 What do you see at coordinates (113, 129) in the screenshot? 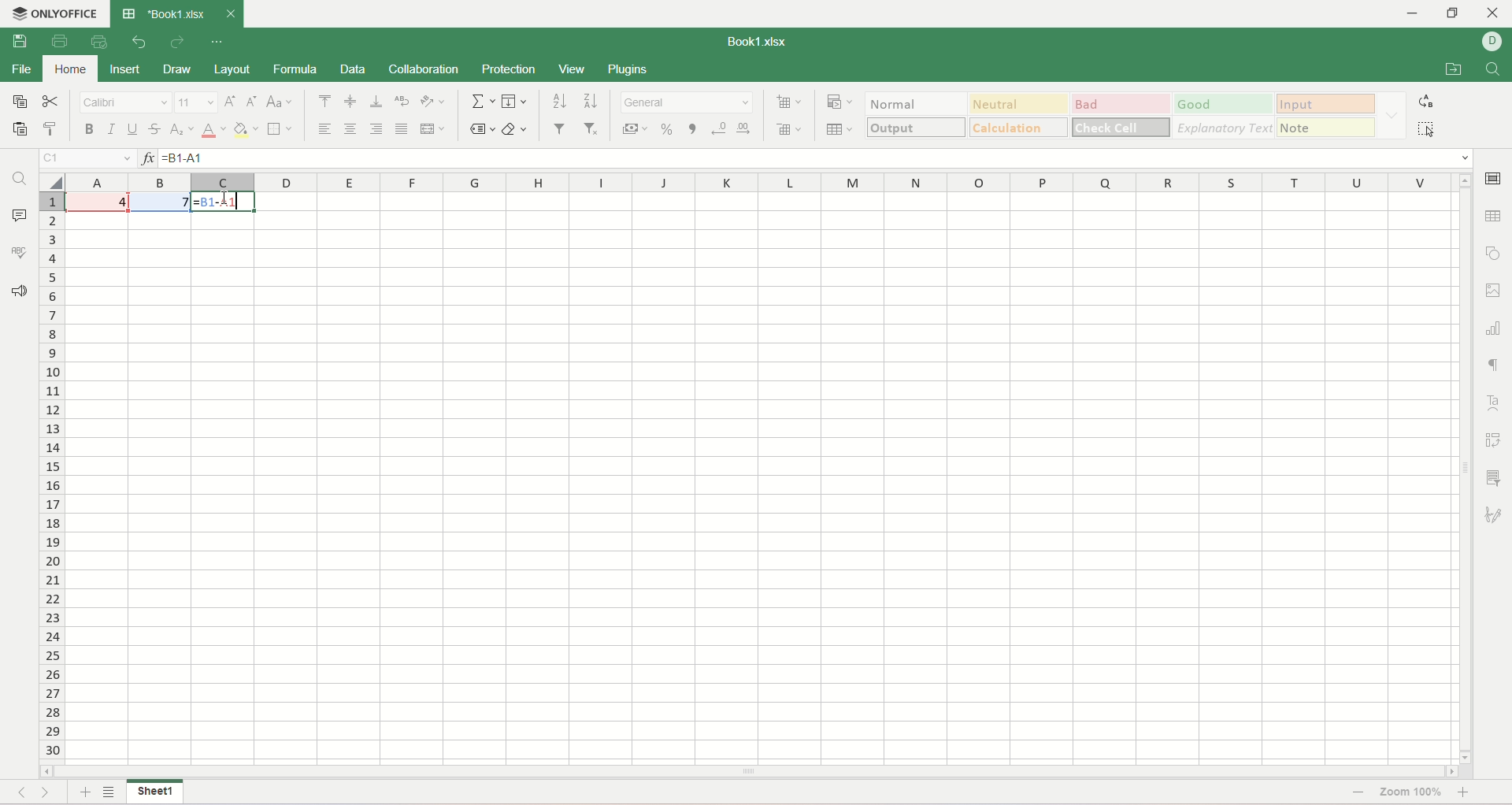
I see `italic` at bounding box center [113, 129].